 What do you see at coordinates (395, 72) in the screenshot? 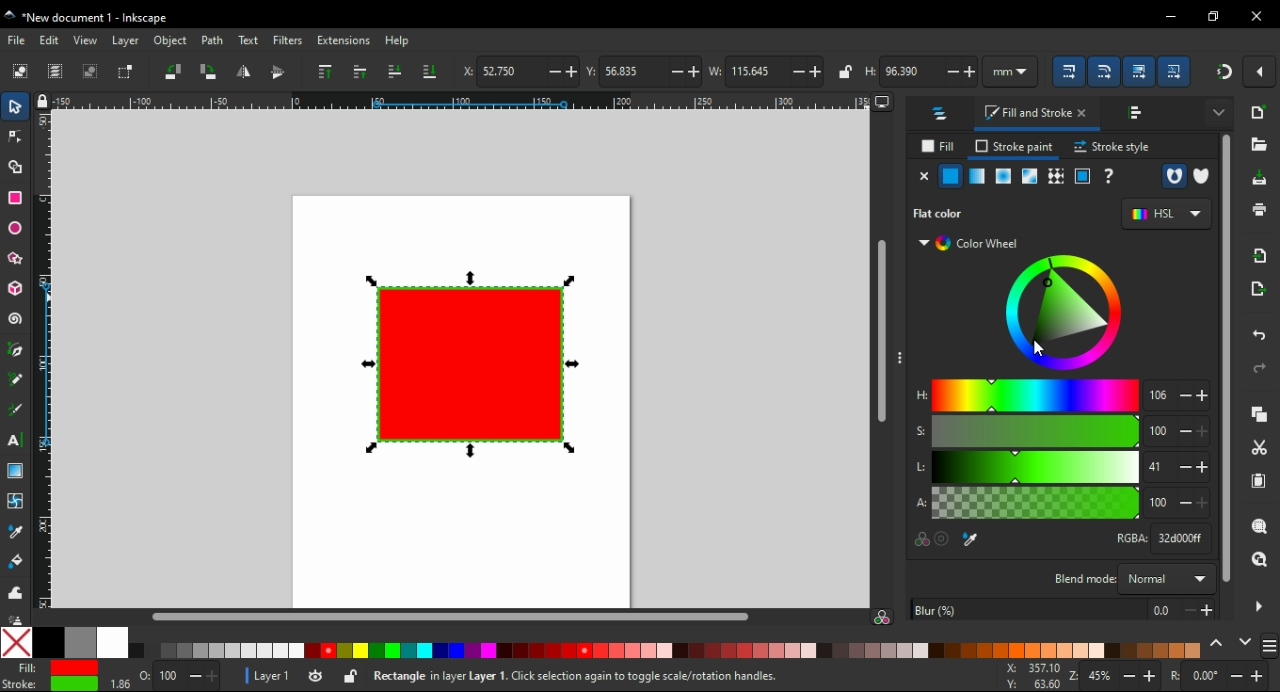
I see `lower` at bounding box center [395, 72].